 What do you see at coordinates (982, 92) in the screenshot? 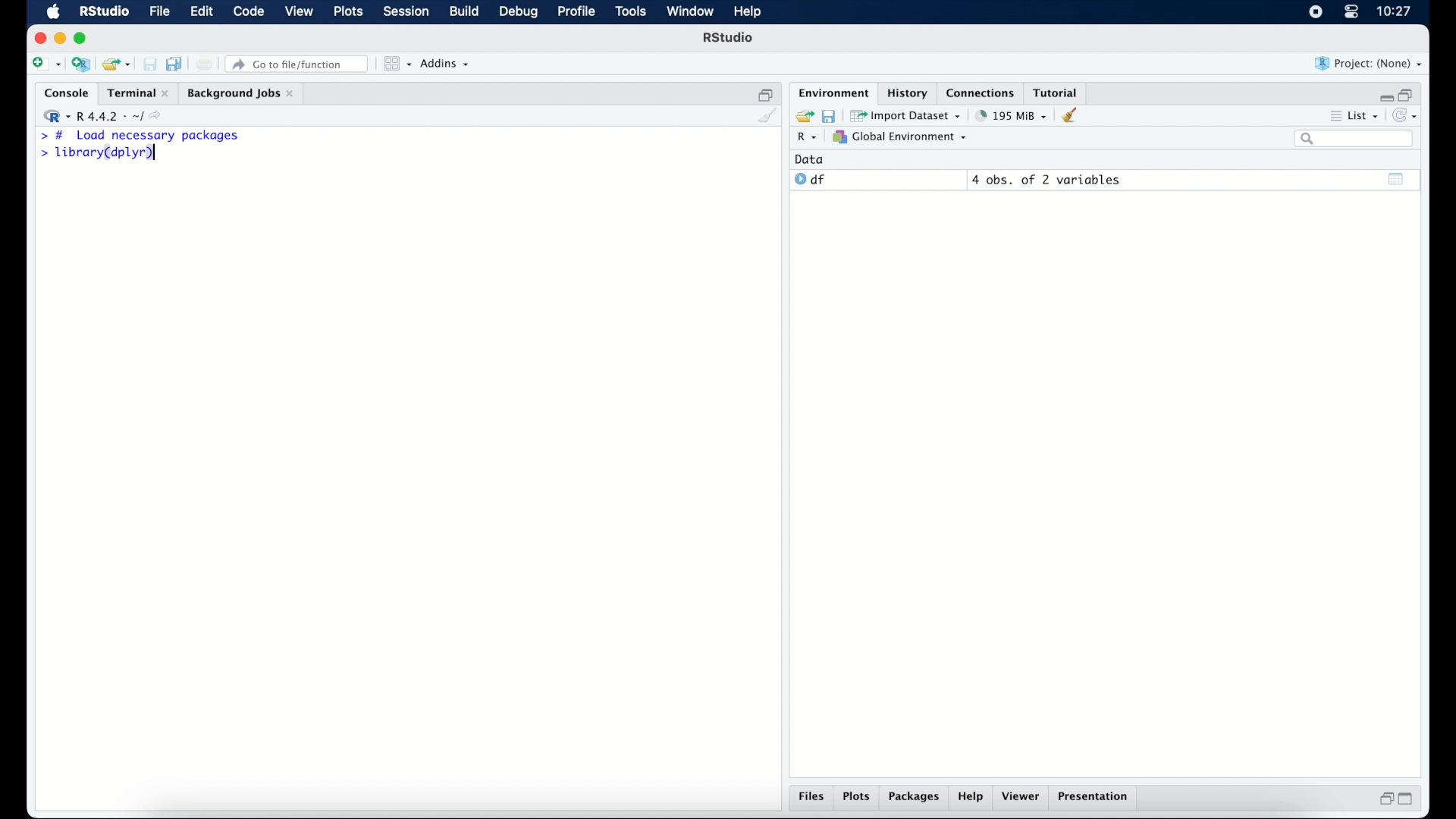
I see `connections` at bounding box center [982, 92].